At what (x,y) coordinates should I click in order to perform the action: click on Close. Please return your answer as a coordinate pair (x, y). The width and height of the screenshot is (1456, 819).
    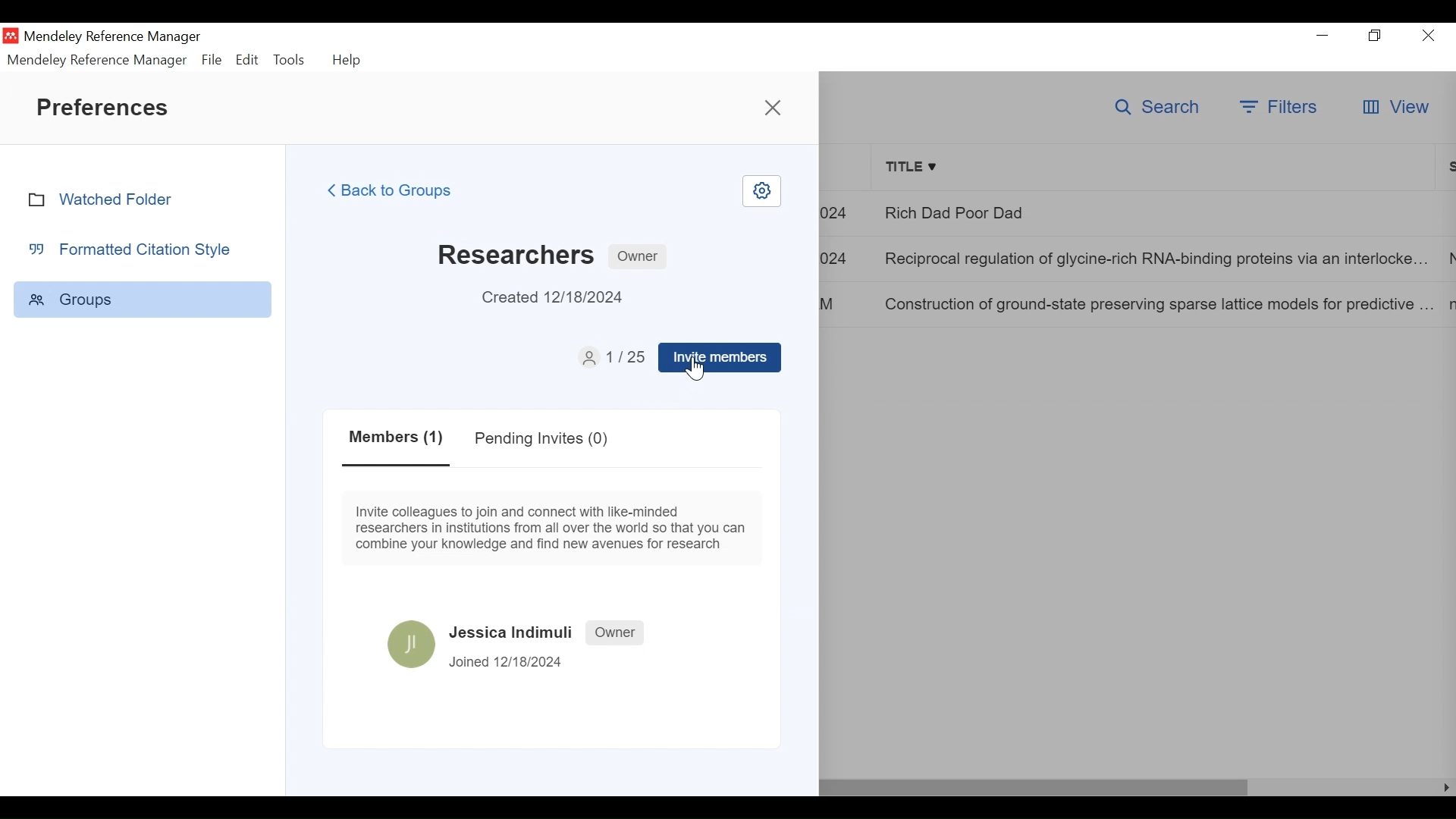
    Looking at the image, I should click on (1429, 35).